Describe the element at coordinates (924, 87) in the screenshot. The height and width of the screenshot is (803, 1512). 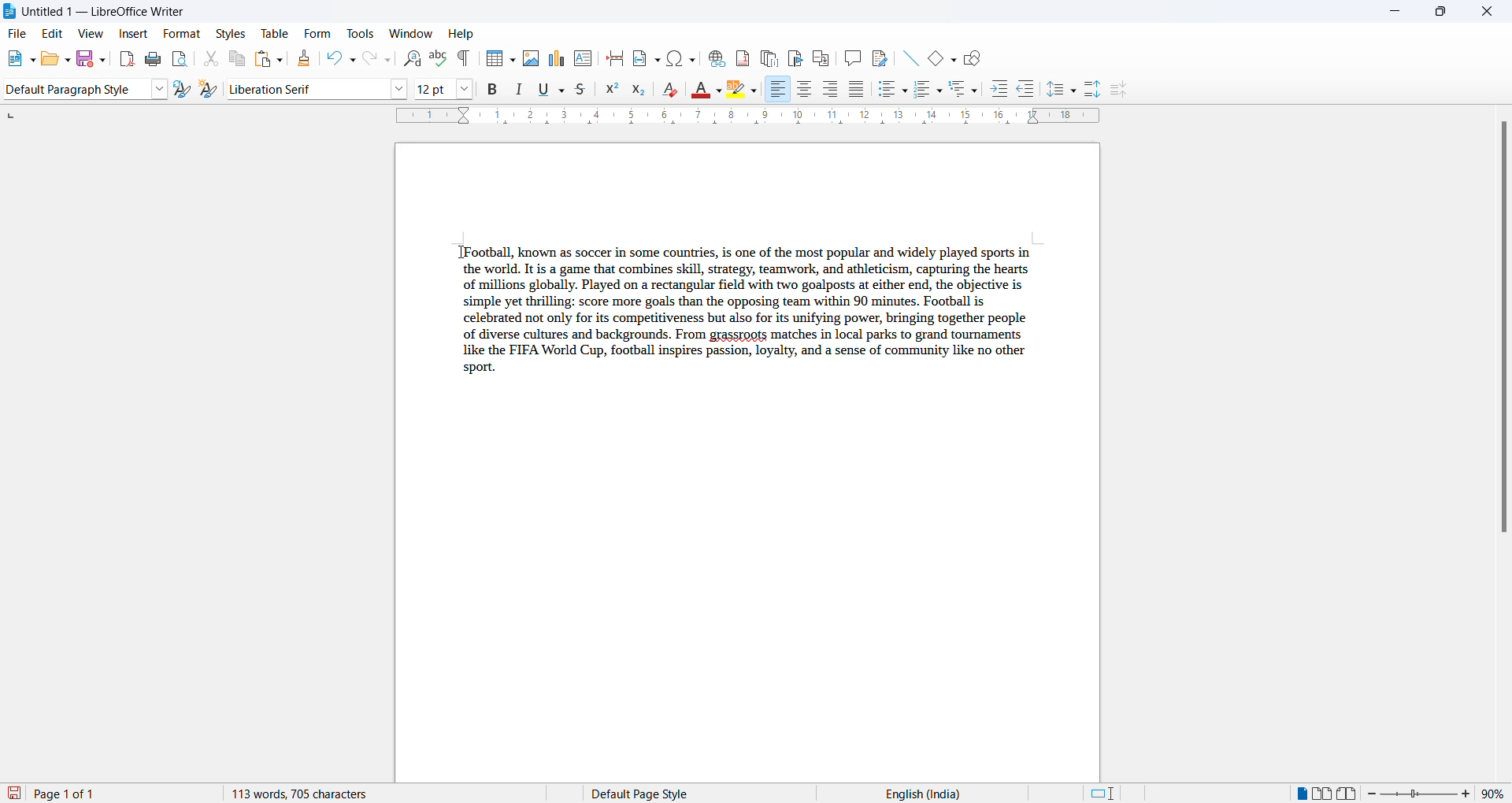
I see `toggle ordered list` at that location.